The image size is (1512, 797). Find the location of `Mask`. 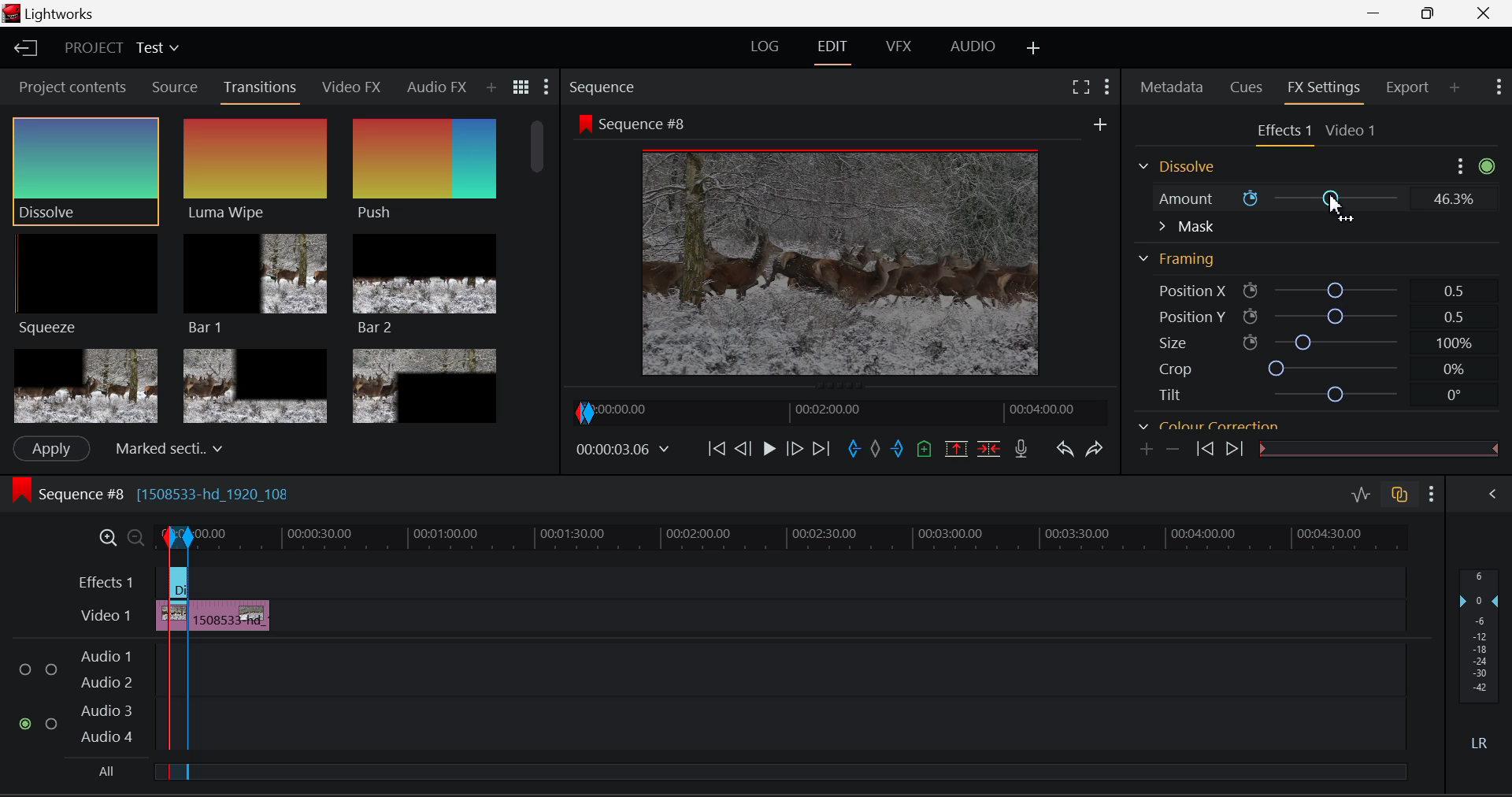

Mask is located at coordinates (1186, 227).